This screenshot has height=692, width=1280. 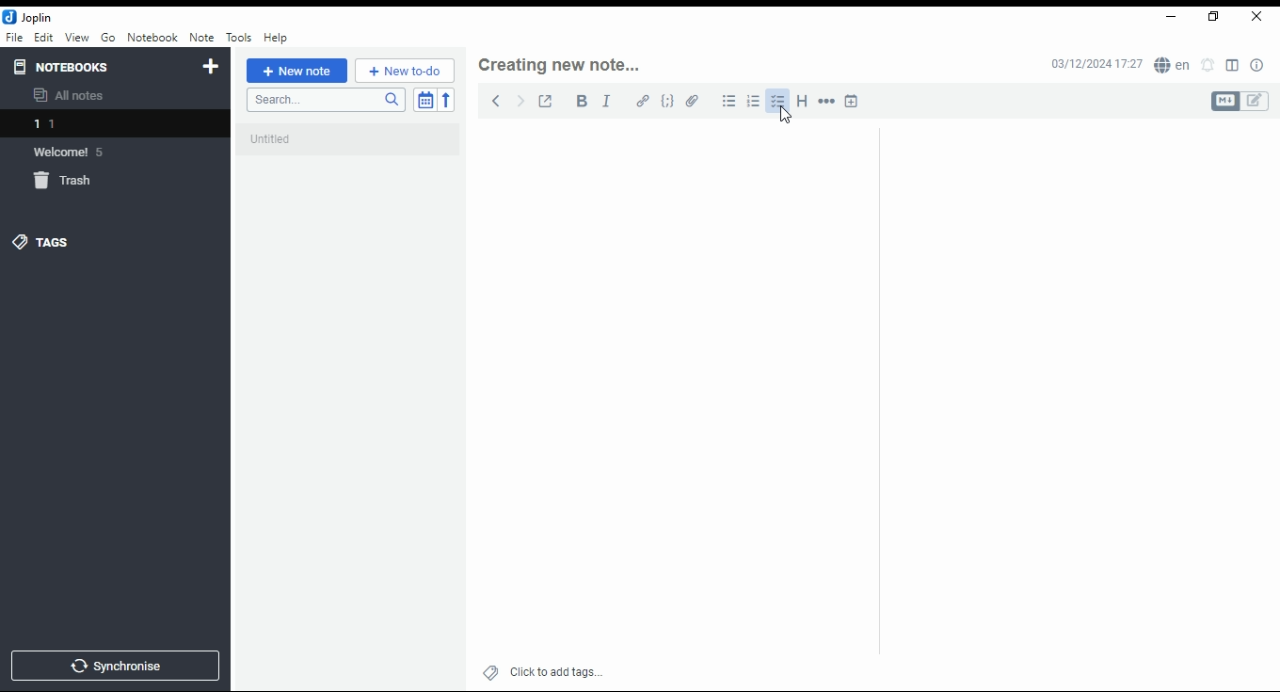 I want to click on restore, so click(x=1216, y=17).